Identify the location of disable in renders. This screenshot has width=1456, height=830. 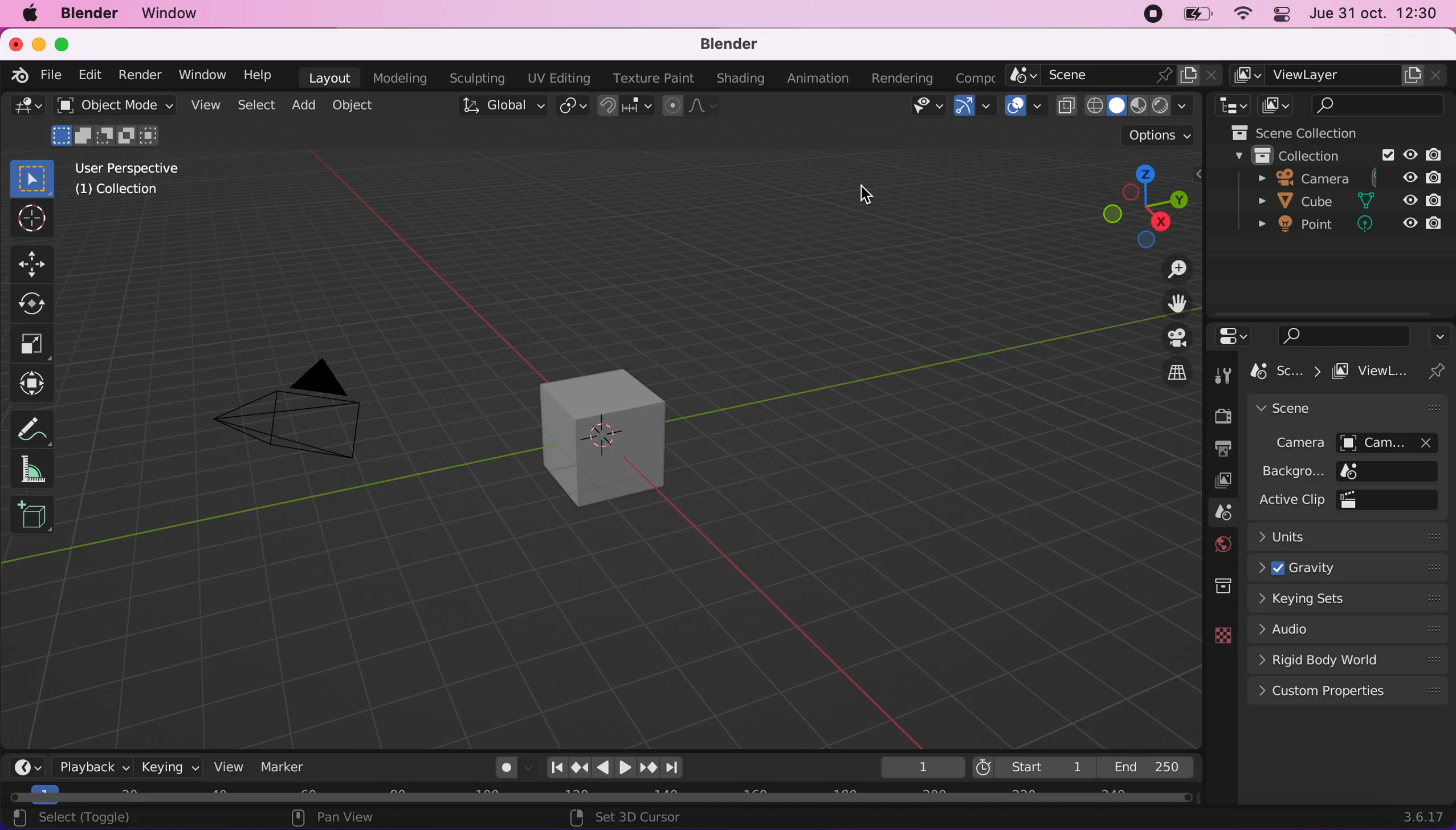
(1439, 153).